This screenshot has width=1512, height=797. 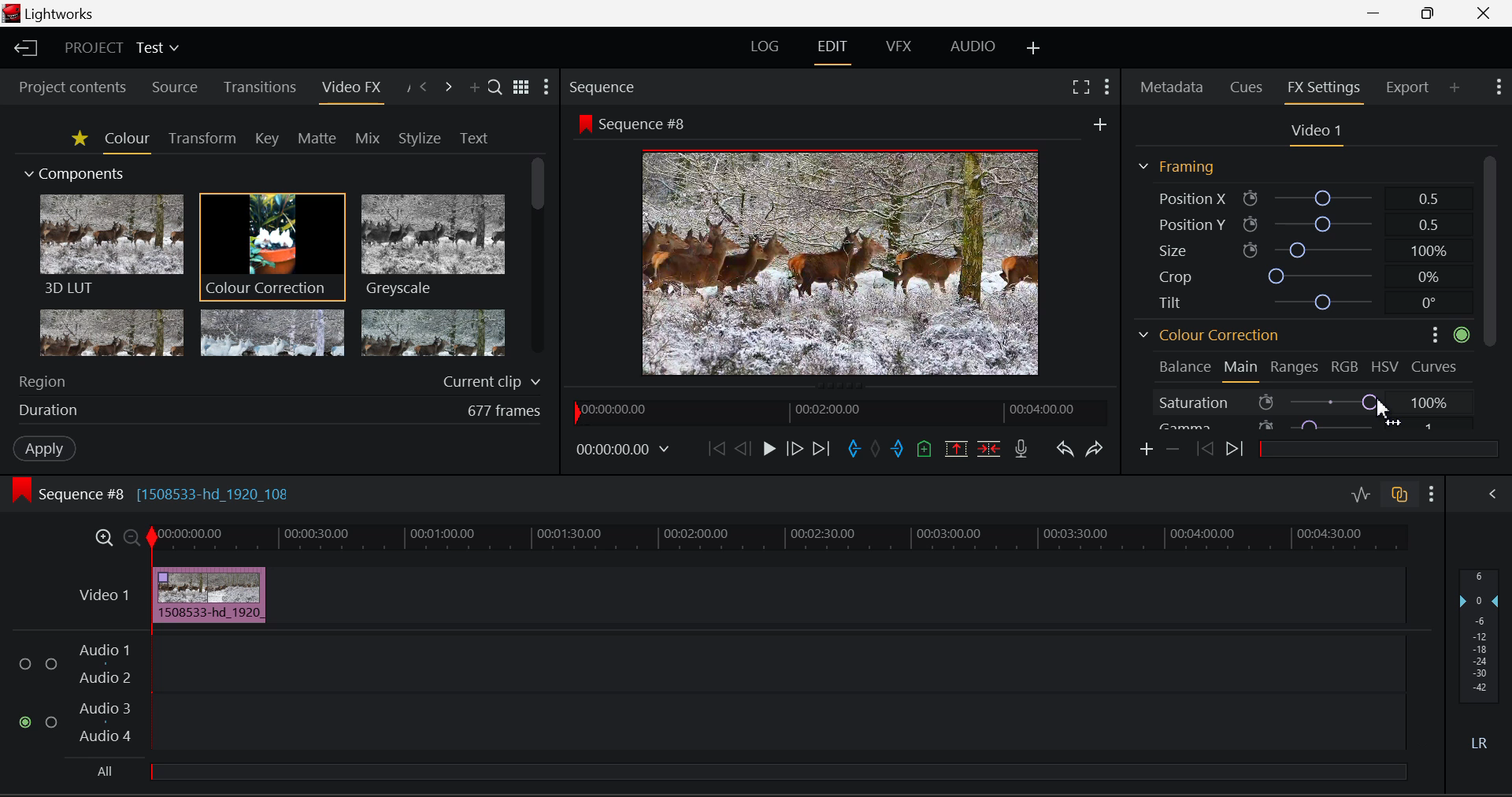 I want to click on Restore Down, so click(x=1377, y=13).